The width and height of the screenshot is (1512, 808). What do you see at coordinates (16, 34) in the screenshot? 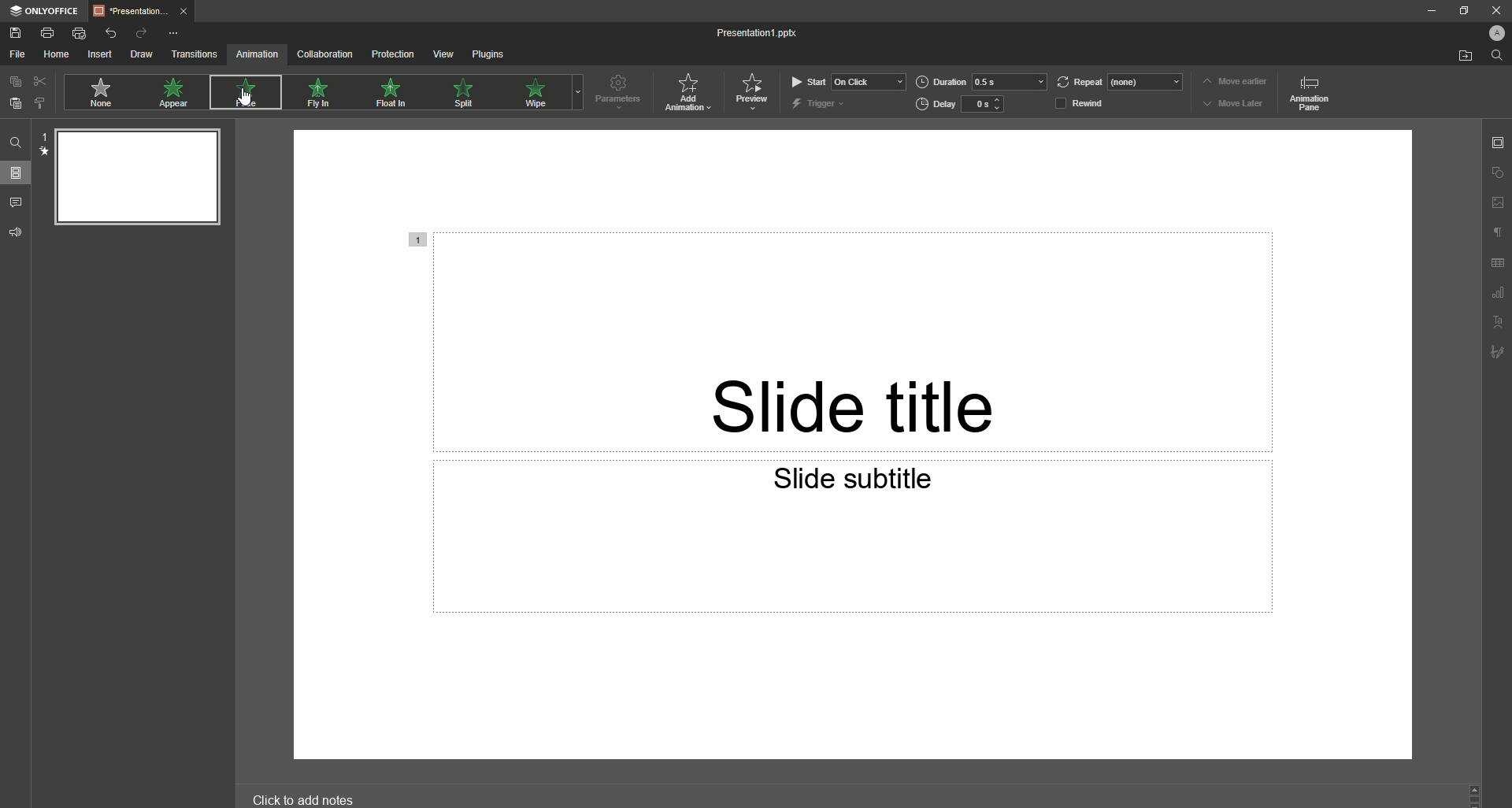
I see `Save` at bounding box center [16, 34].